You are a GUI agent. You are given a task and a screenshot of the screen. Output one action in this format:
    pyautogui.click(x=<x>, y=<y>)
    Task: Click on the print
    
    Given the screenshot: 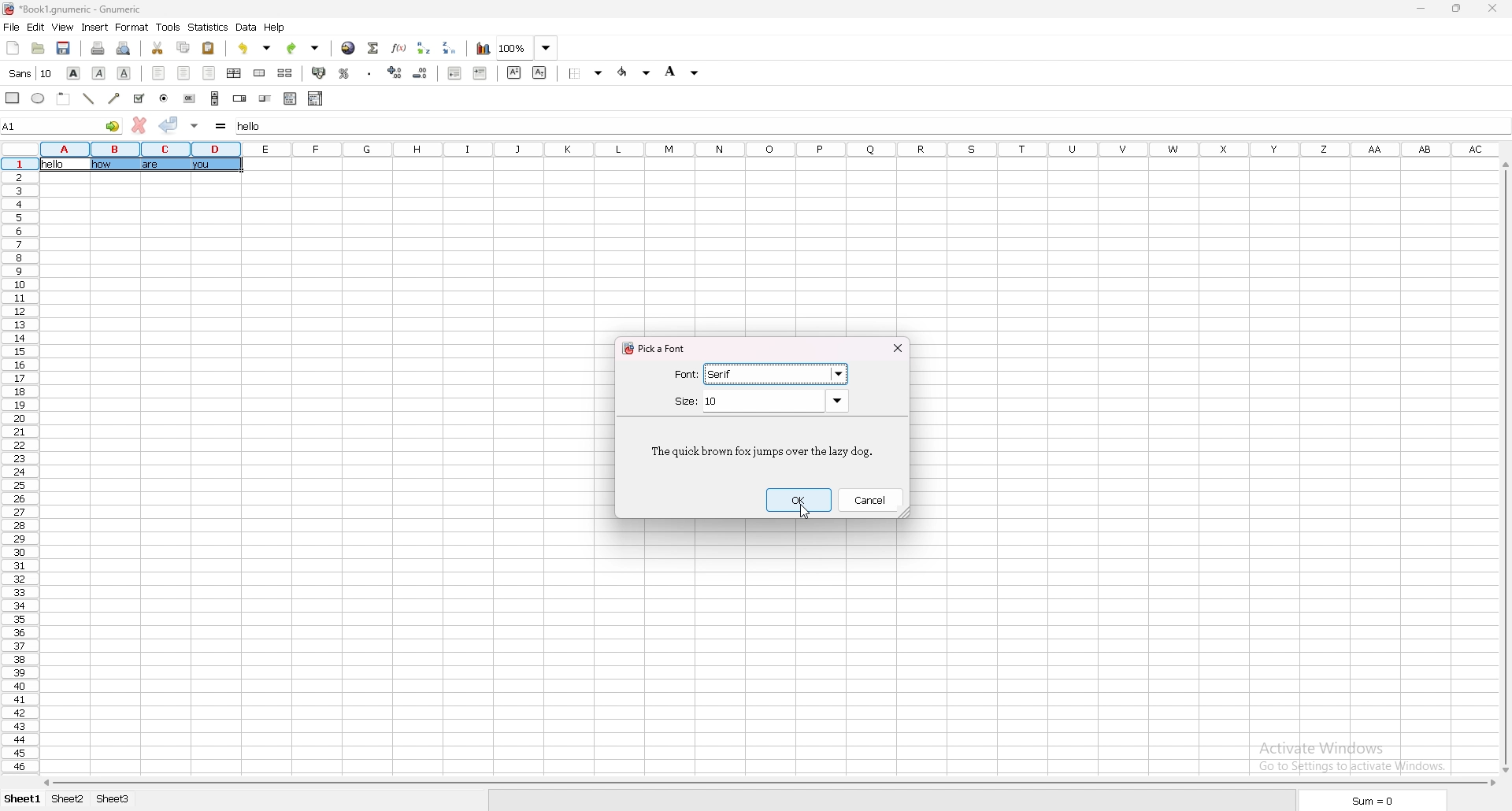 What is the action you would take?
    pyautogui.click(x=100, y=47)
    